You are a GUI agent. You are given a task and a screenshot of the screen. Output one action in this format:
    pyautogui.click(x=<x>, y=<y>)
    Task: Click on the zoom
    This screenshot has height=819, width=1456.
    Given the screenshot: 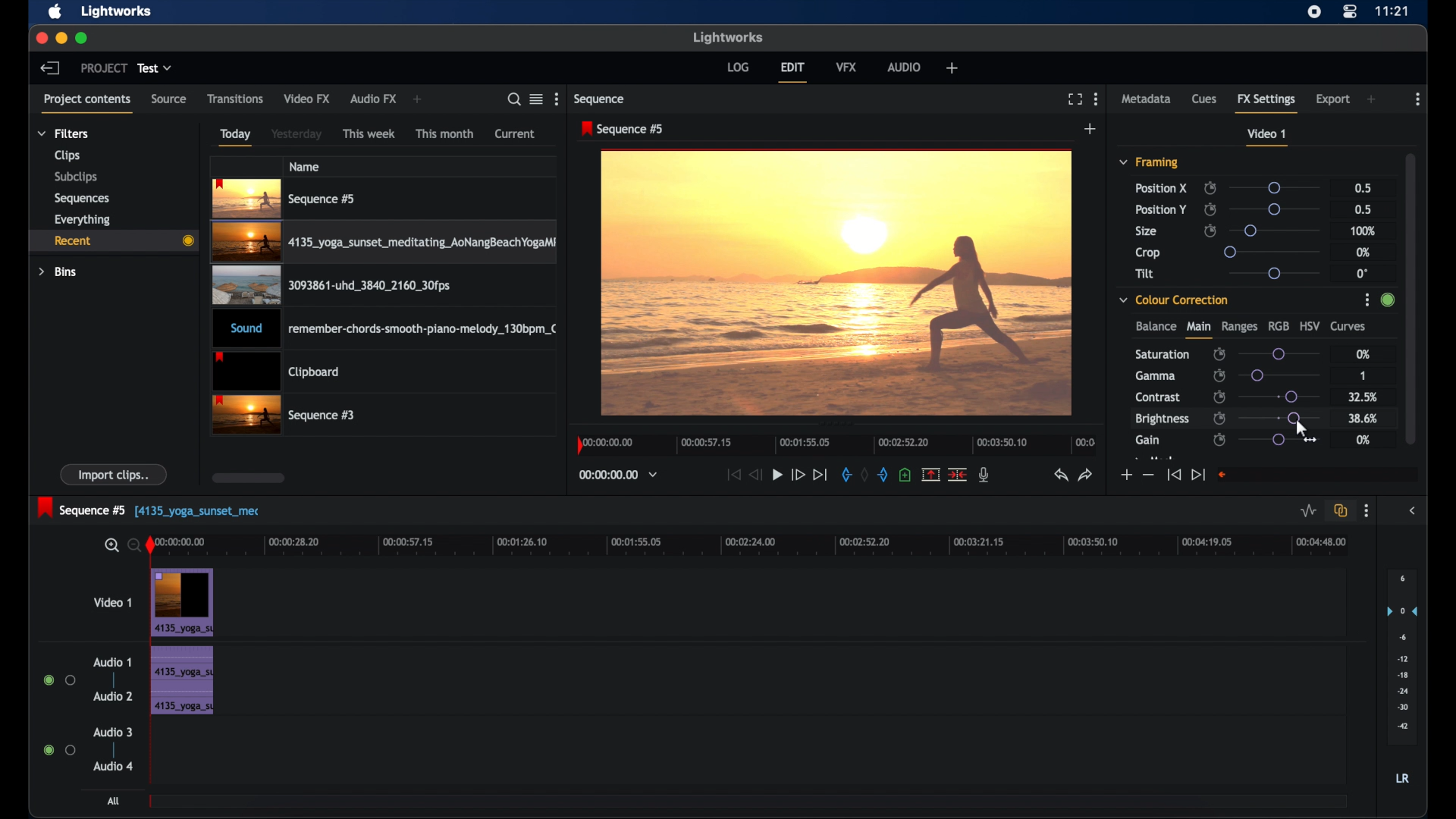 What is the action you would take?
    pyautogui.click(x=118, y=546)
    